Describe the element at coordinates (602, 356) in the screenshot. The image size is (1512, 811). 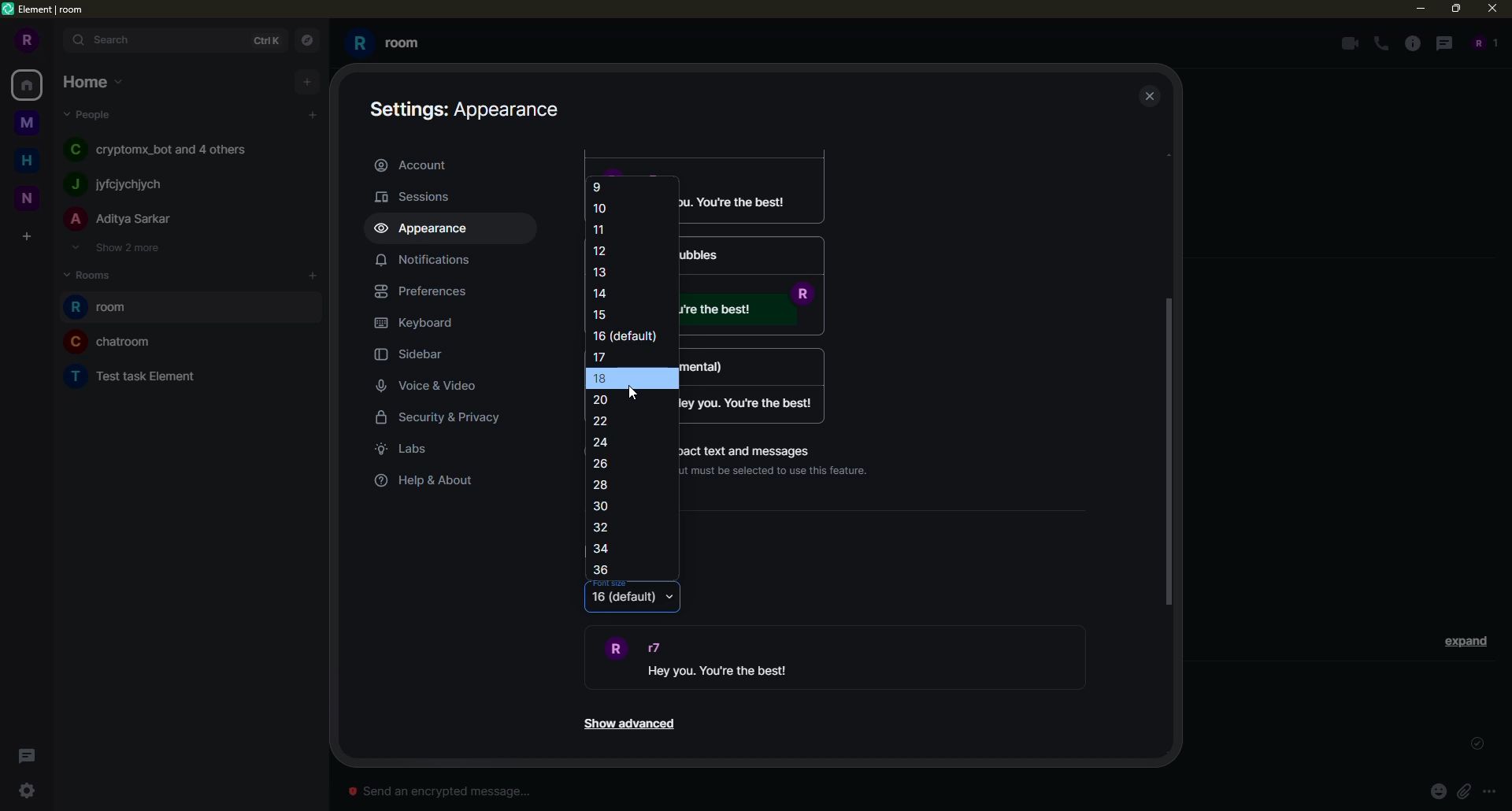
I see `17` at that location.